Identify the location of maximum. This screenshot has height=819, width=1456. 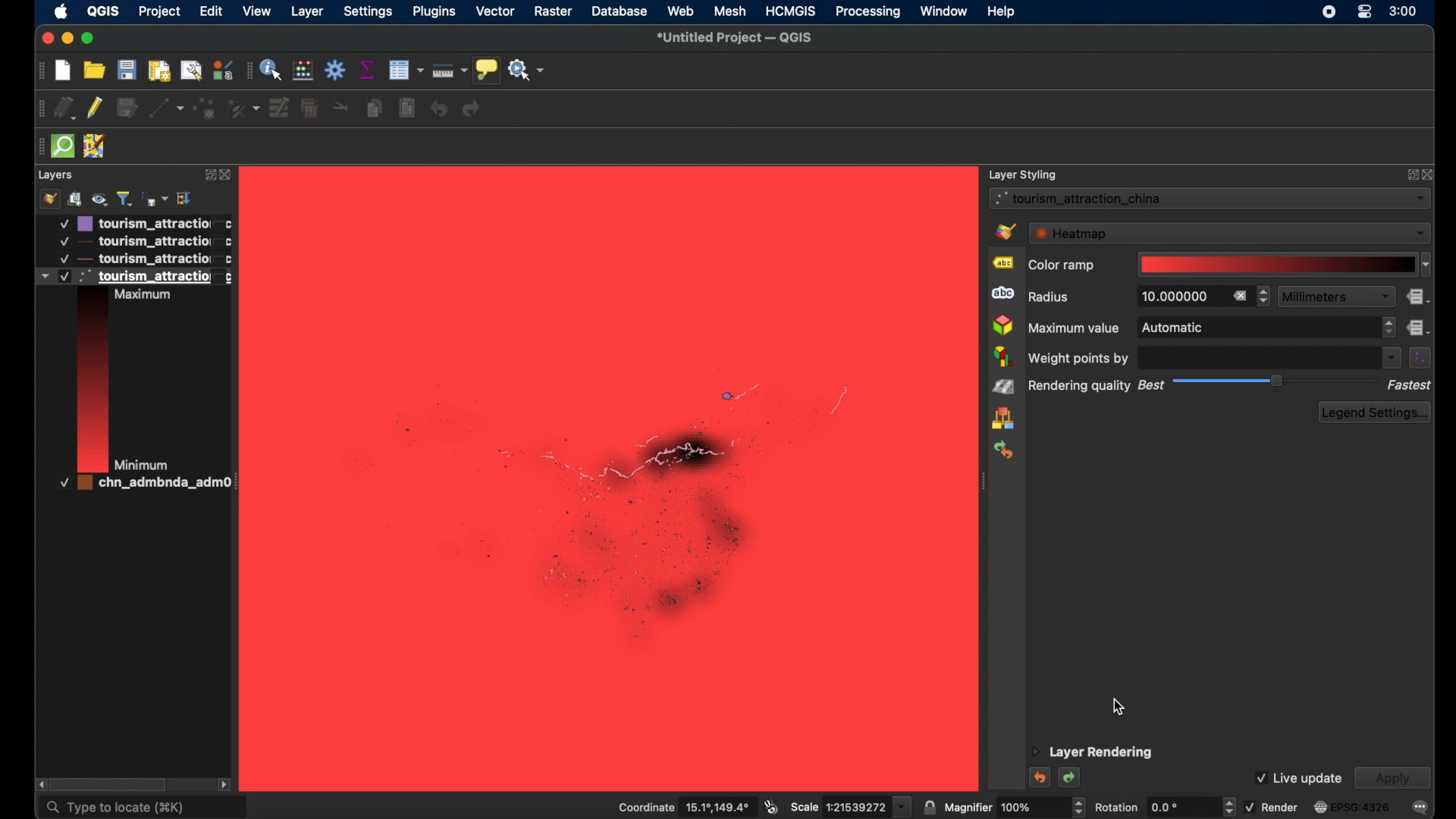
(151, 296).